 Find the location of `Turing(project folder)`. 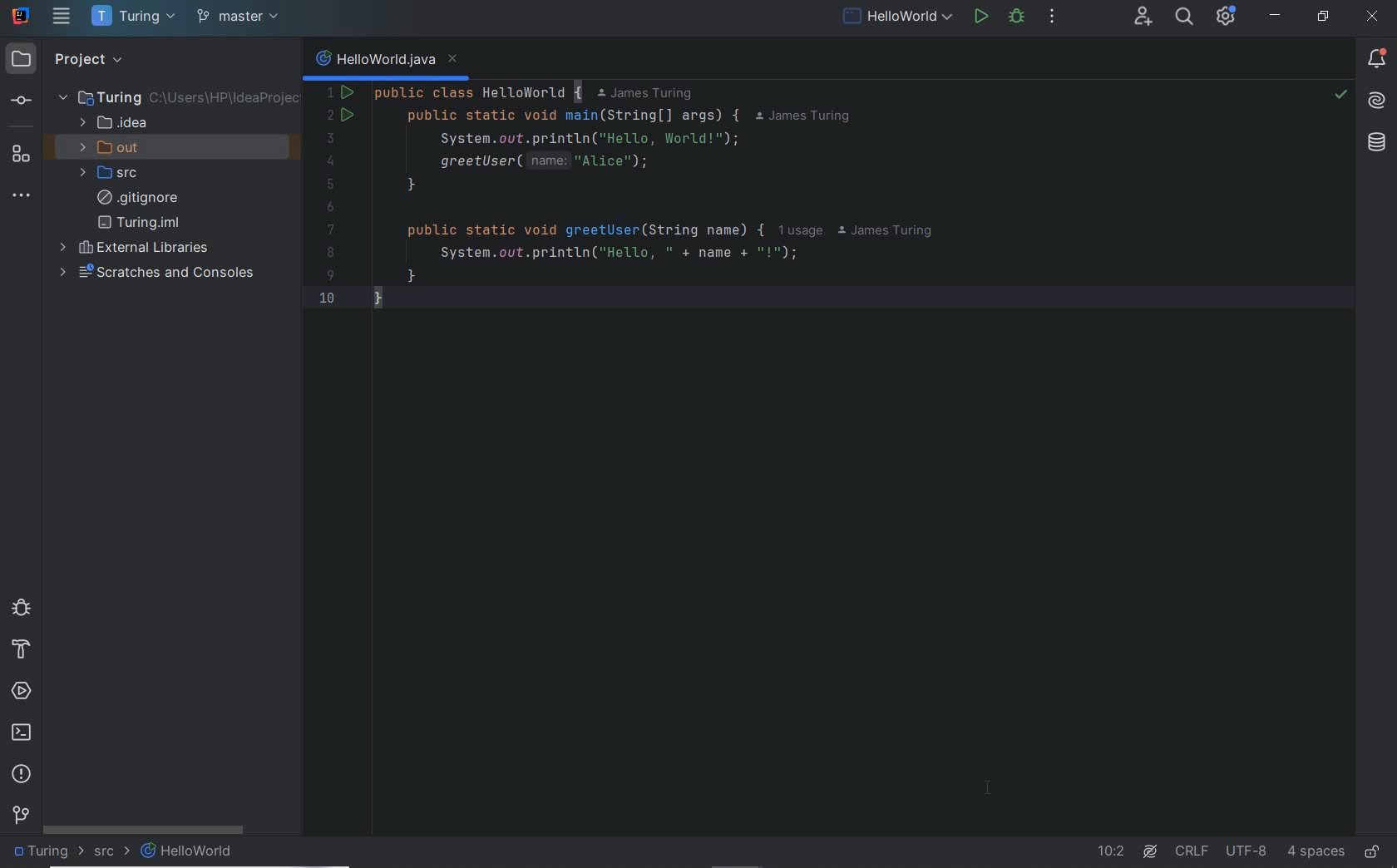

Turing(project folder) is located at coordinates (179, 97).